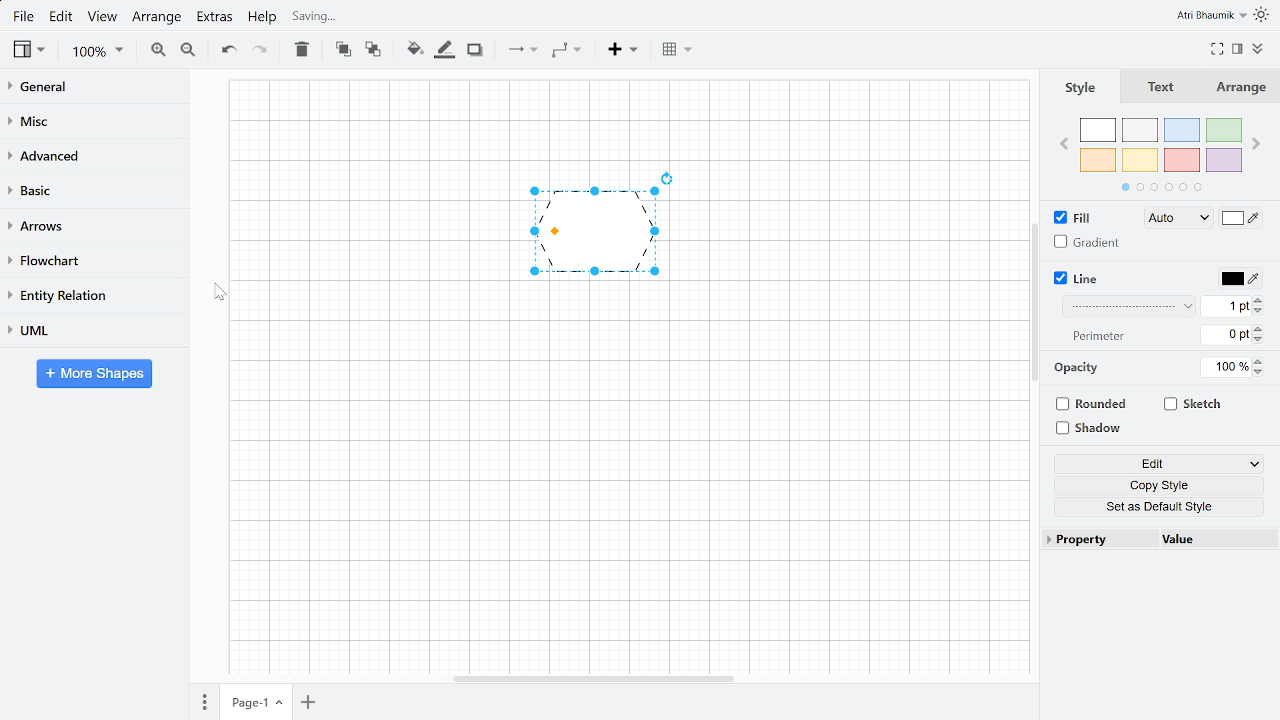 Image resolution: width=1280 pixels, height=720 pixels. I want to click on Decrease line width, so click(1261, 312).